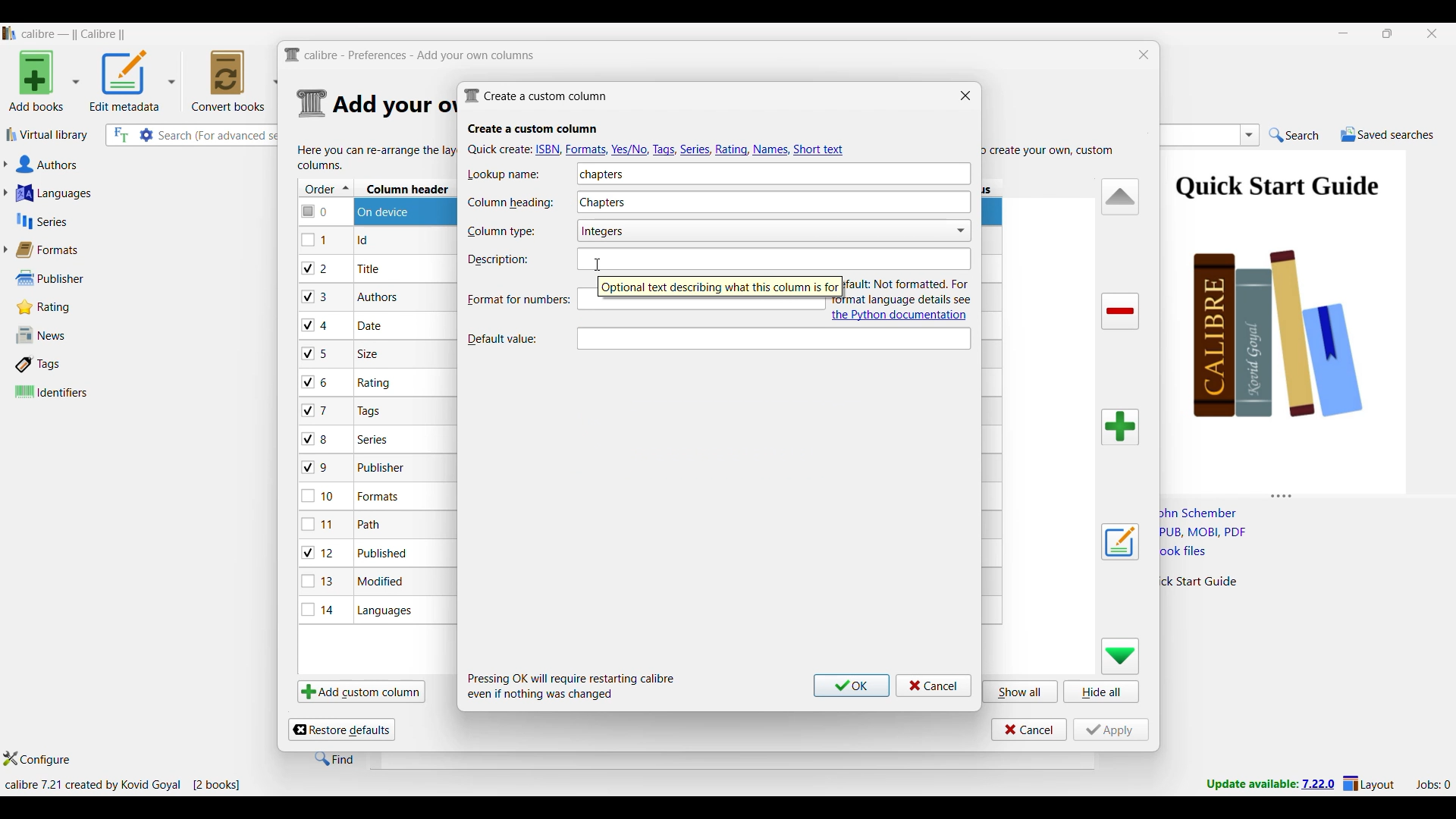  I want to click on Move row down, so click(1121, 656).